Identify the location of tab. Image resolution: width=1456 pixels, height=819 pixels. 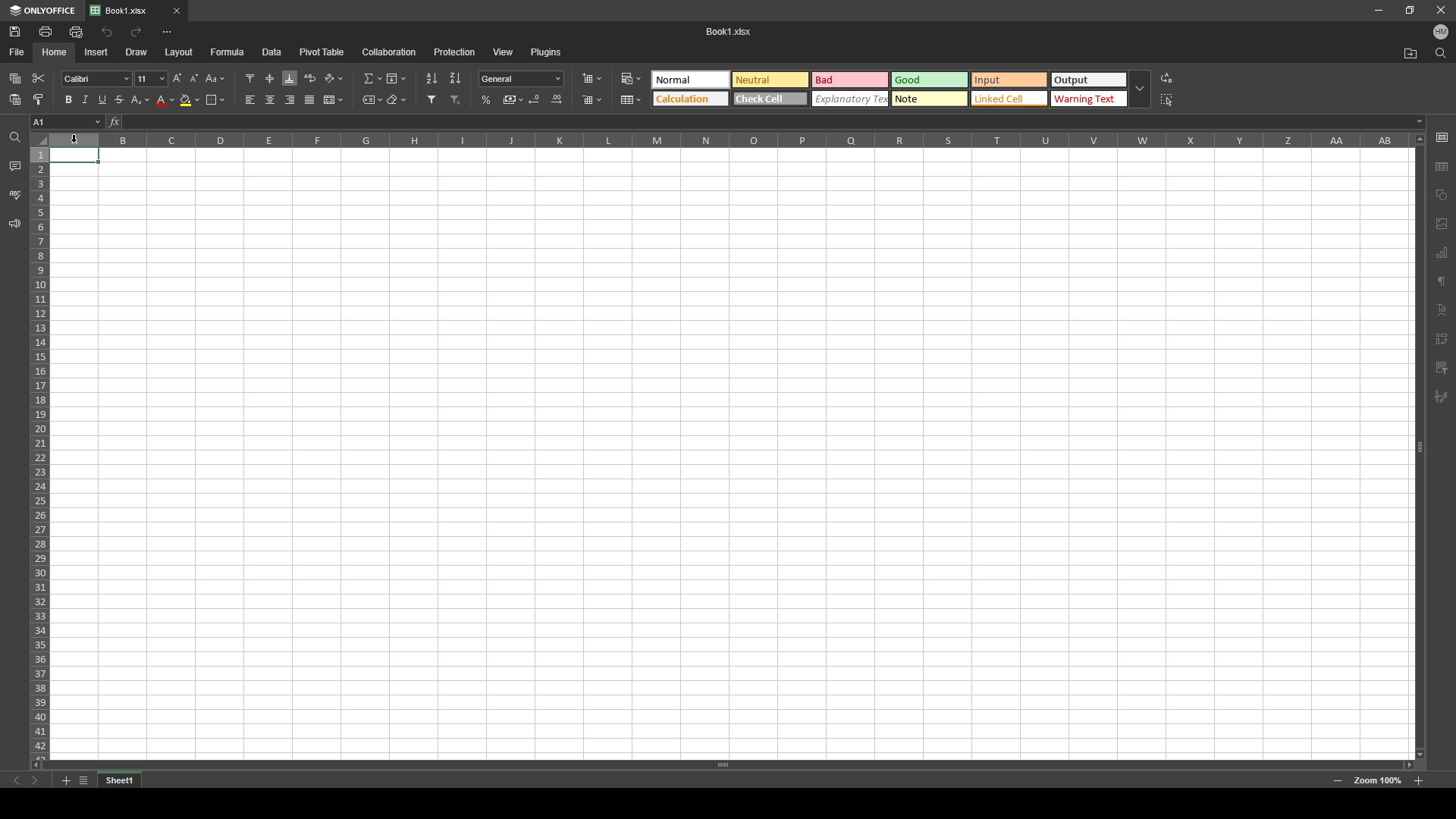
(127, 11).